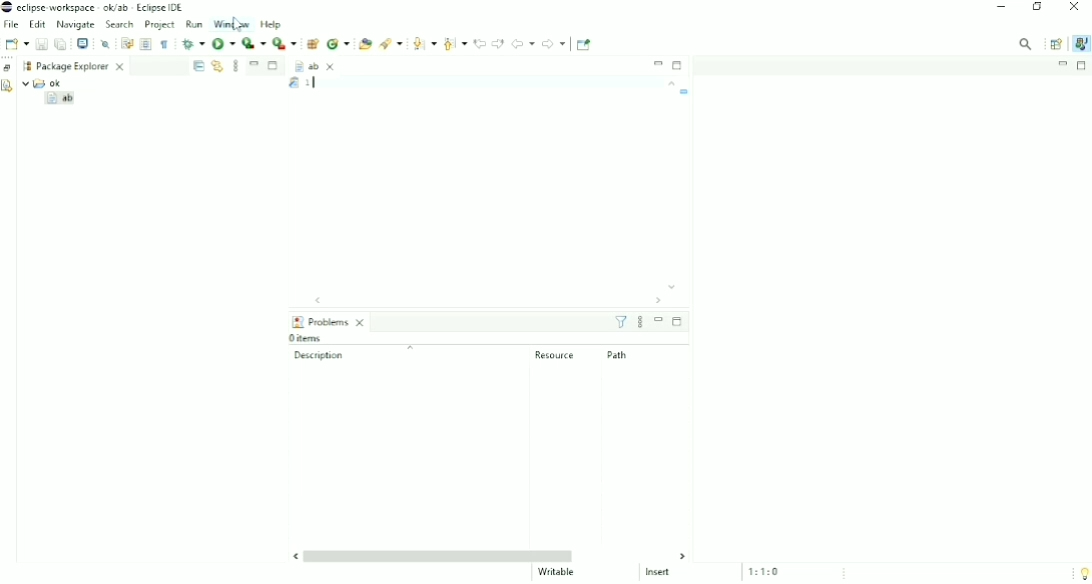 The height and width of the screenshot is (584, 1092). Describe the element at coordinates (484, 300) in the screenshot. I see `Horizontal scrollbar` at that location.